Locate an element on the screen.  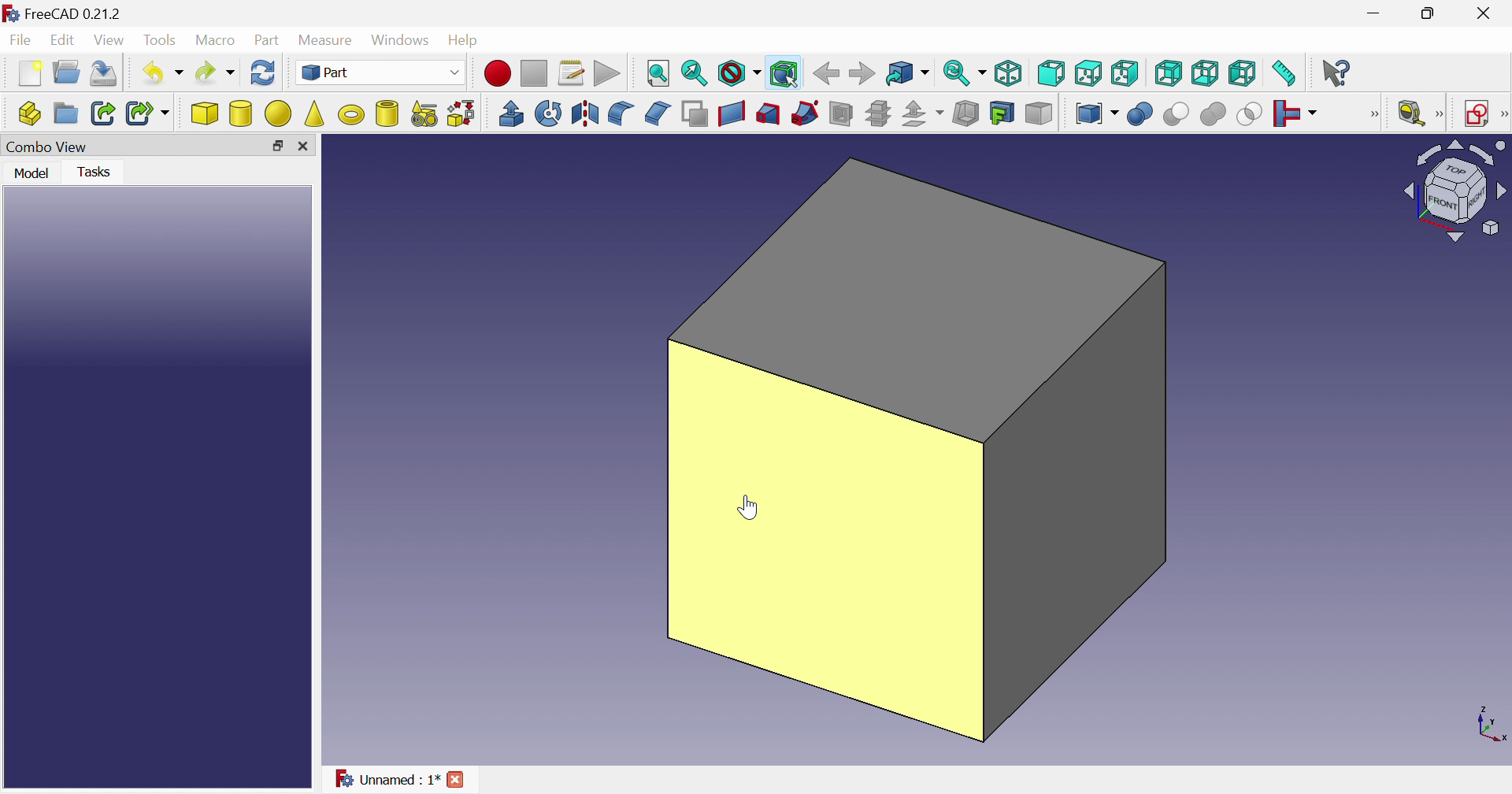
Make sub-link is located at coordinates (149, 114).